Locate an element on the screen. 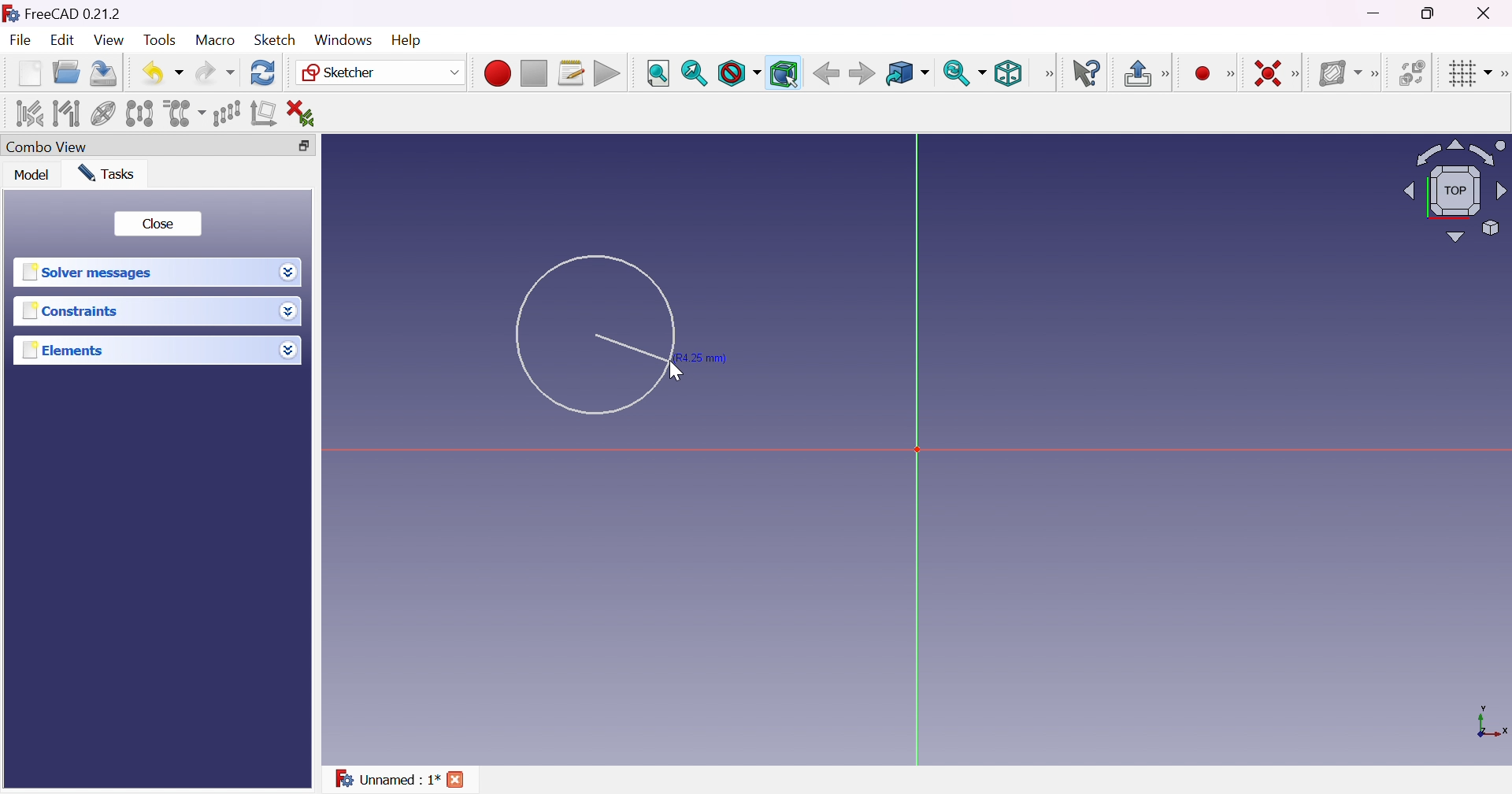 This screenshot has height=794, width=1512. Show/hide internal geometry is located at coordinates (104, 113).